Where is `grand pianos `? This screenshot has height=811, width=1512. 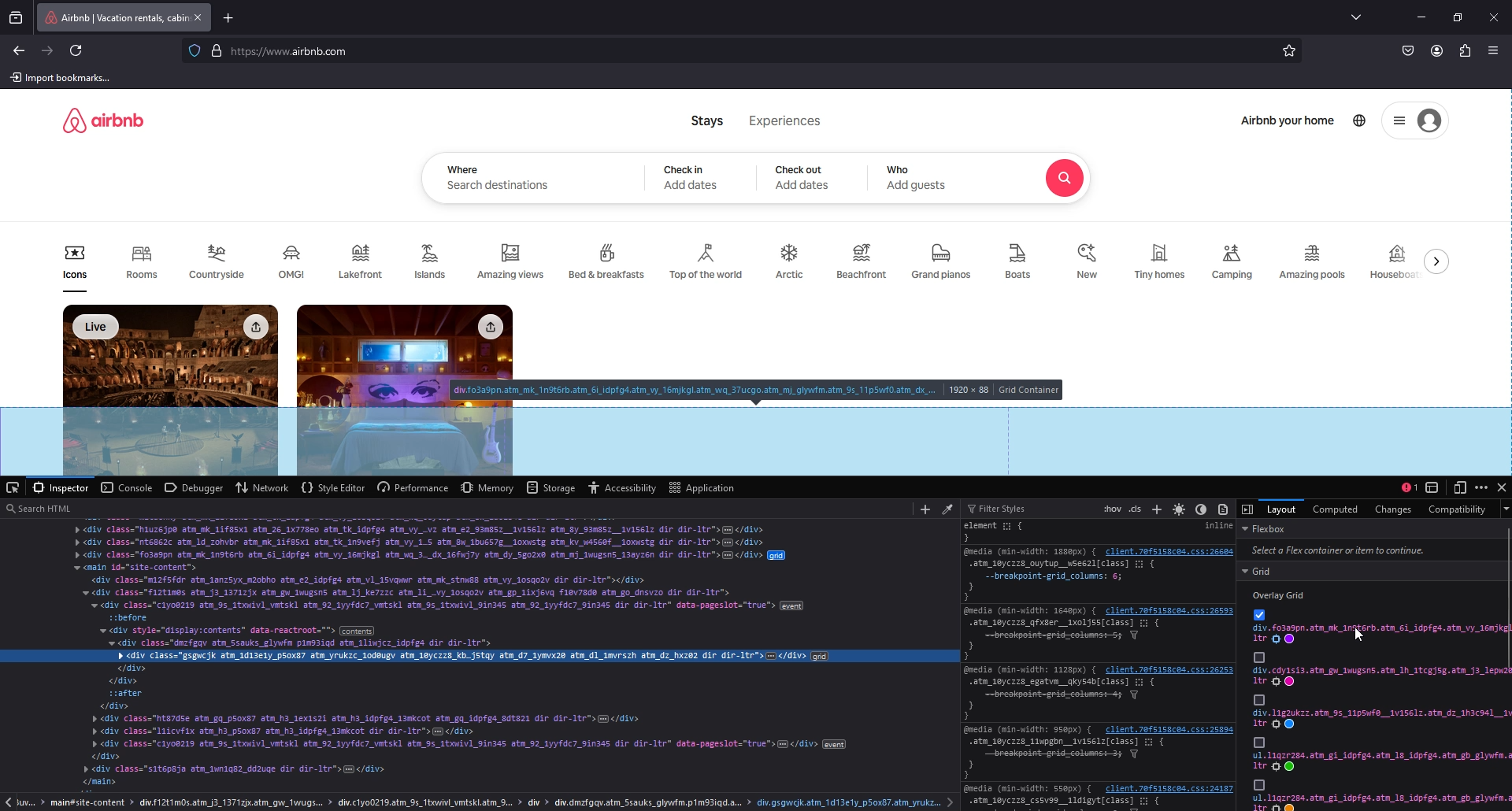
grand pianos  is located at coordinates (940, 262).